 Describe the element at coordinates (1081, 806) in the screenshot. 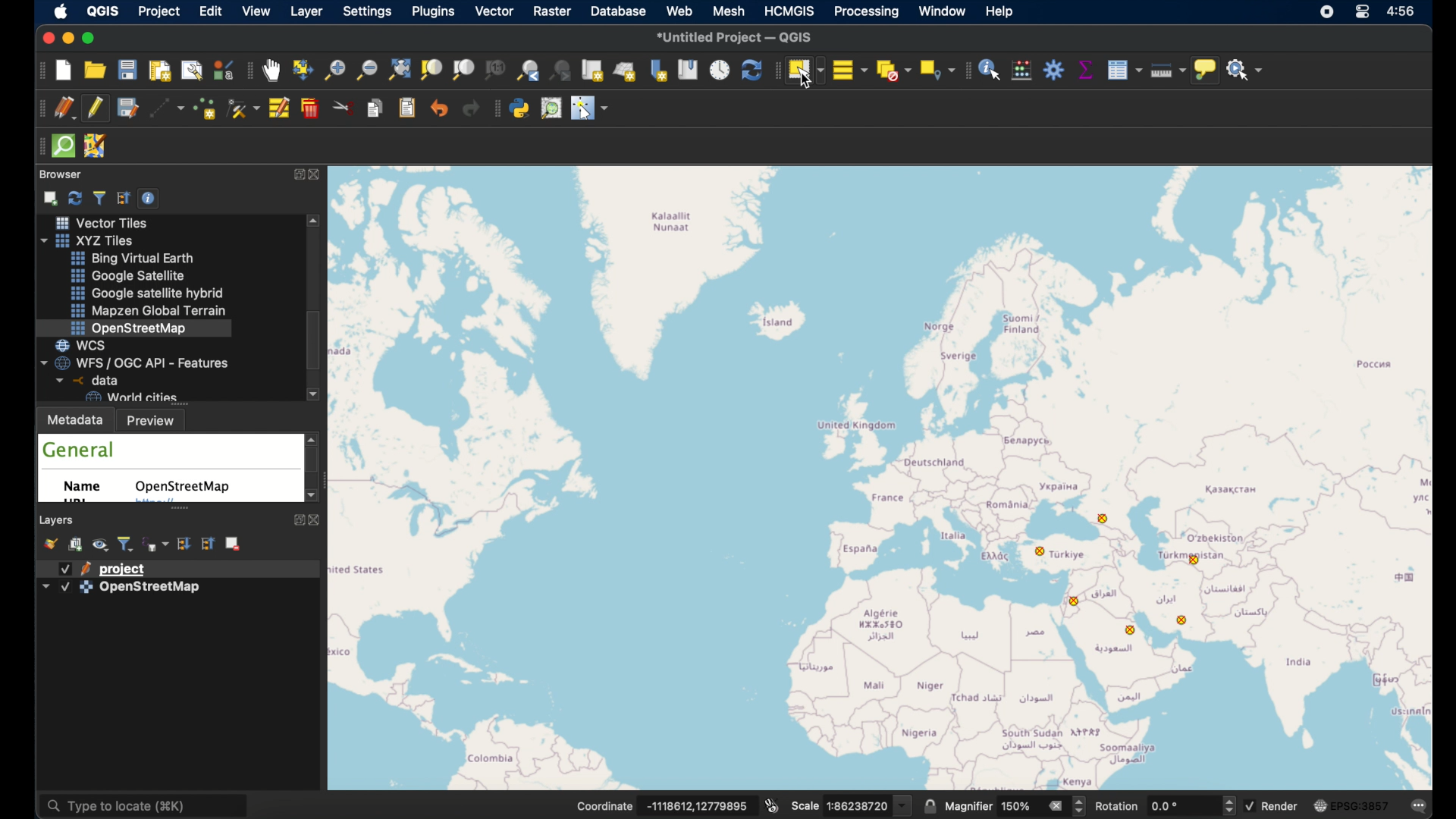

I see `Increase or decrease magnifier` at that location.